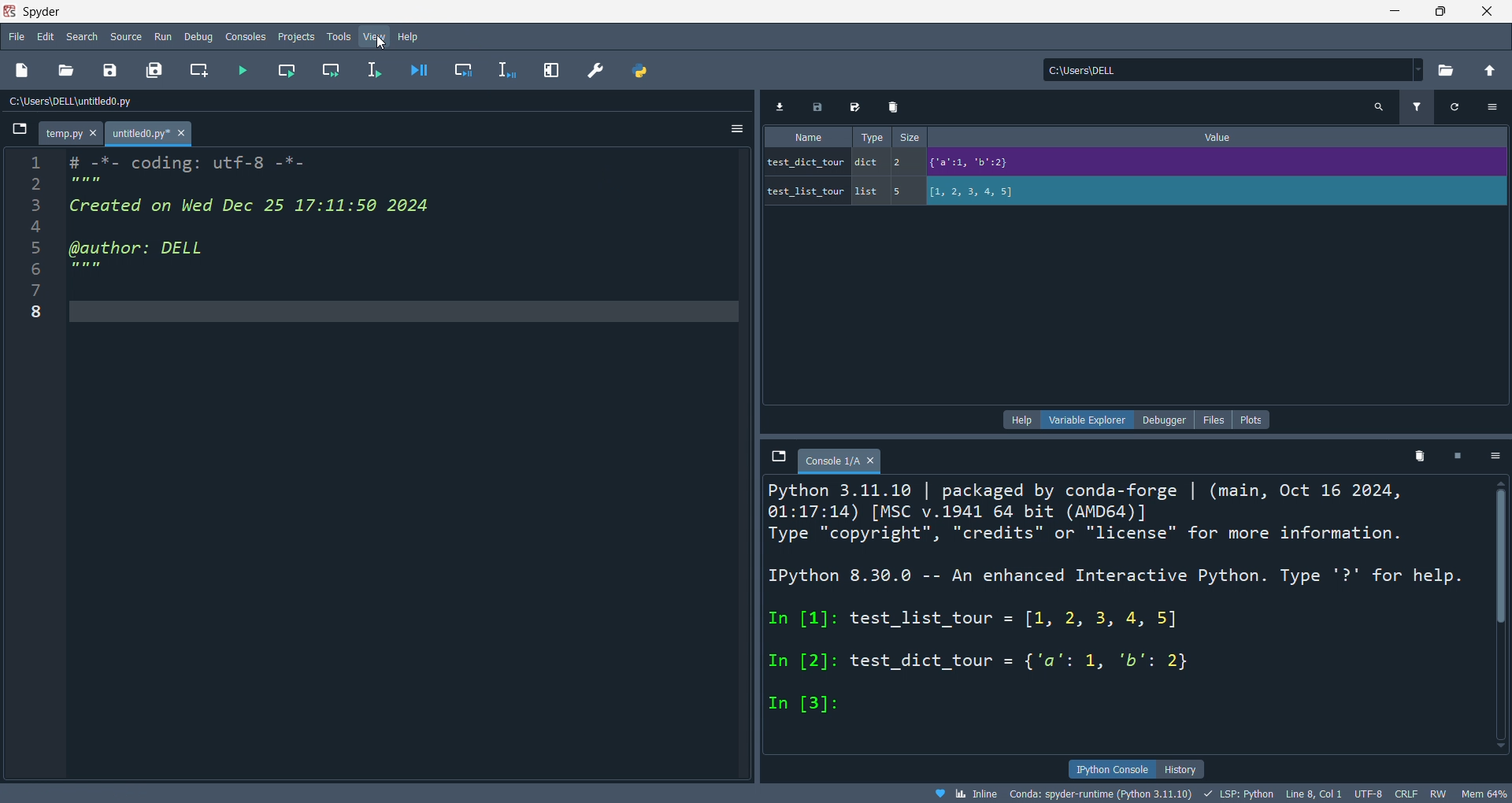  What do you see at coordinates (1112, 768) in the screenshot?
I see `ipython console` at bounding box center [1112, 768].